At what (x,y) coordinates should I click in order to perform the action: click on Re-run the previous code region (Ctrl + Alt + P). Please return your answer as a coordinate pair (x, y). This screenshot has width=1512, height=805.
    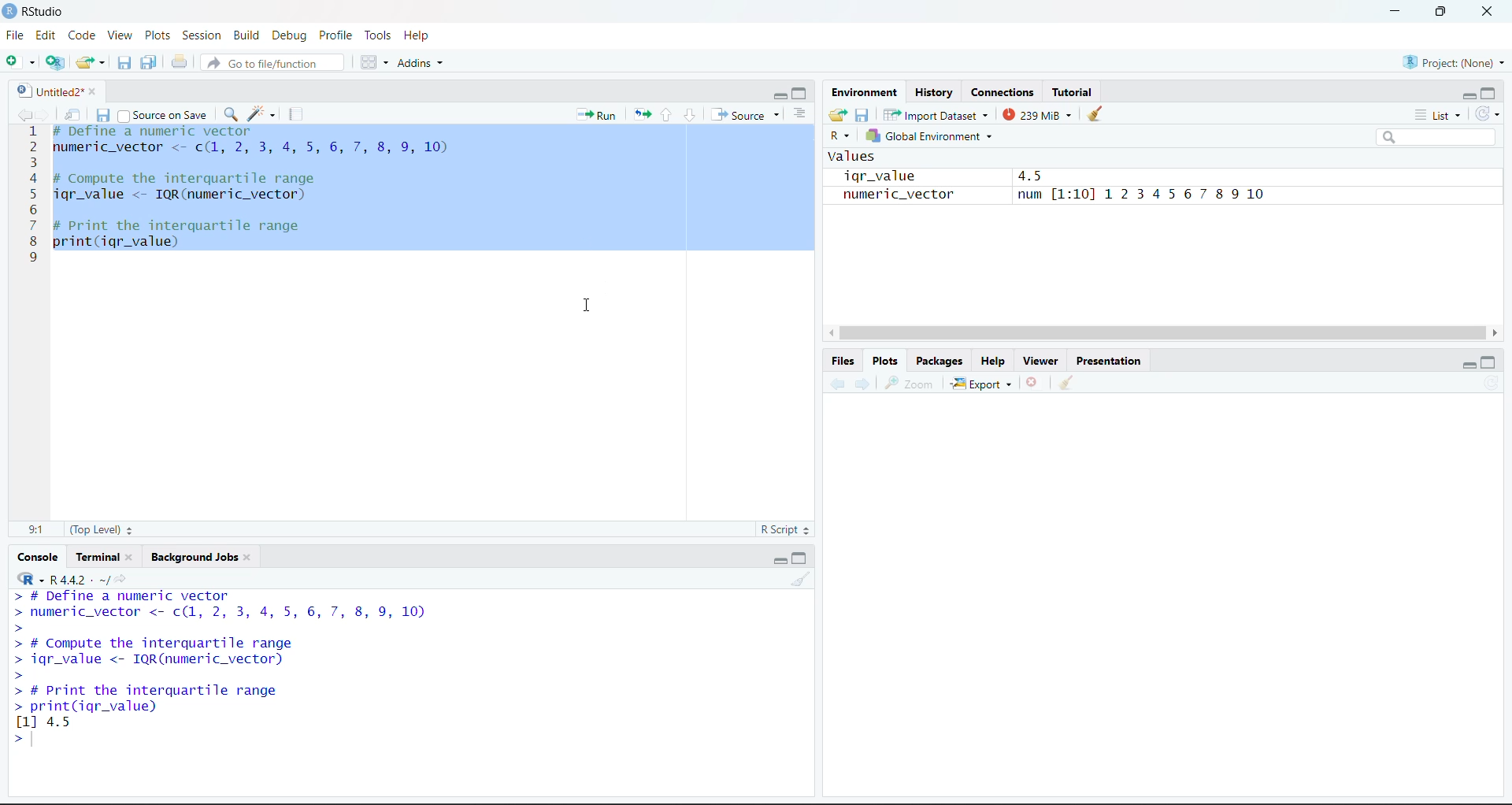
    Looking at the image, I should click on (642, 114).